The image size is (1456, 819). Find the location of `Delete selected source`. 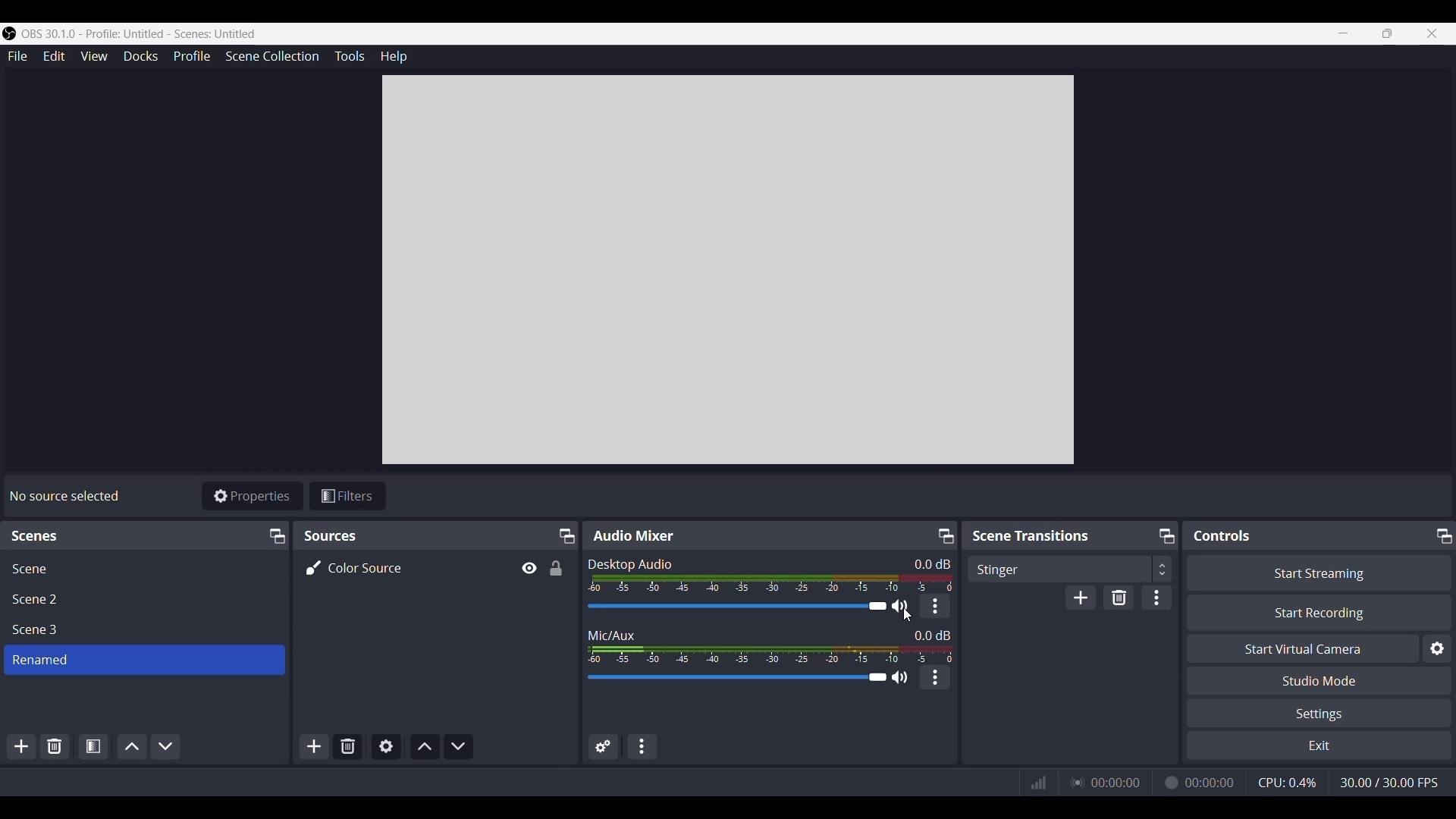

Delete selected source is located at coordinates (347, 747).